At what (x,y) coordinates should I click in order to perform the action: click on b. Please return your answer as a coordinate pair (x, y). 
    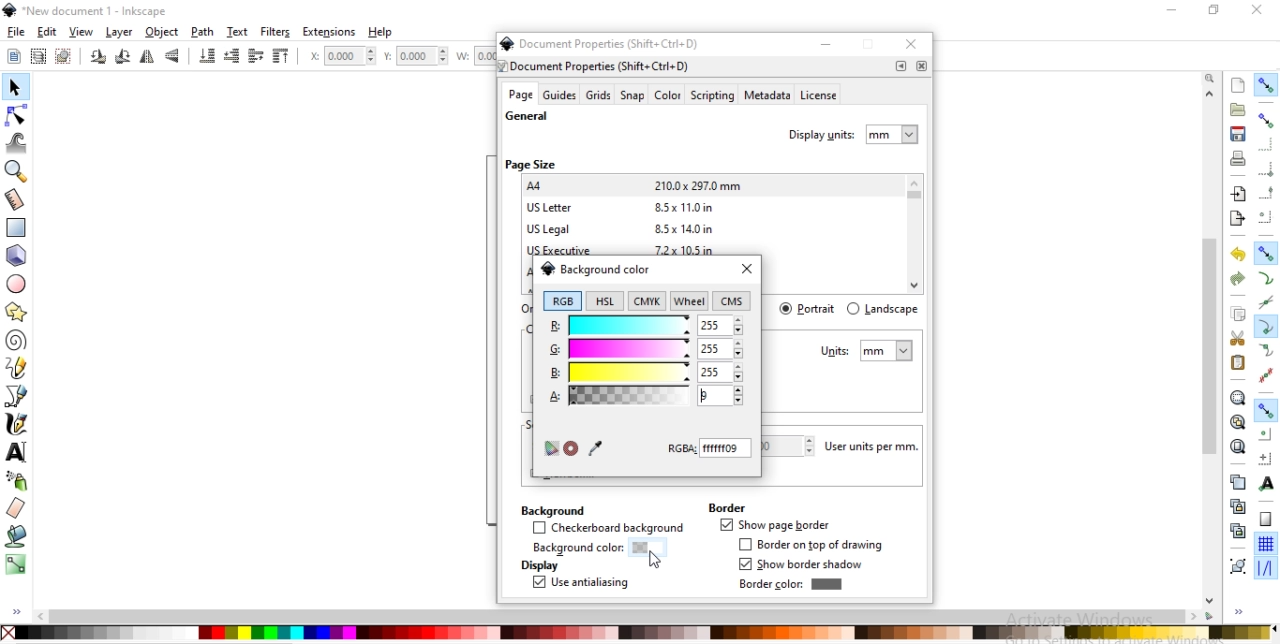
    Looking at the image, I should click on (645, 372).